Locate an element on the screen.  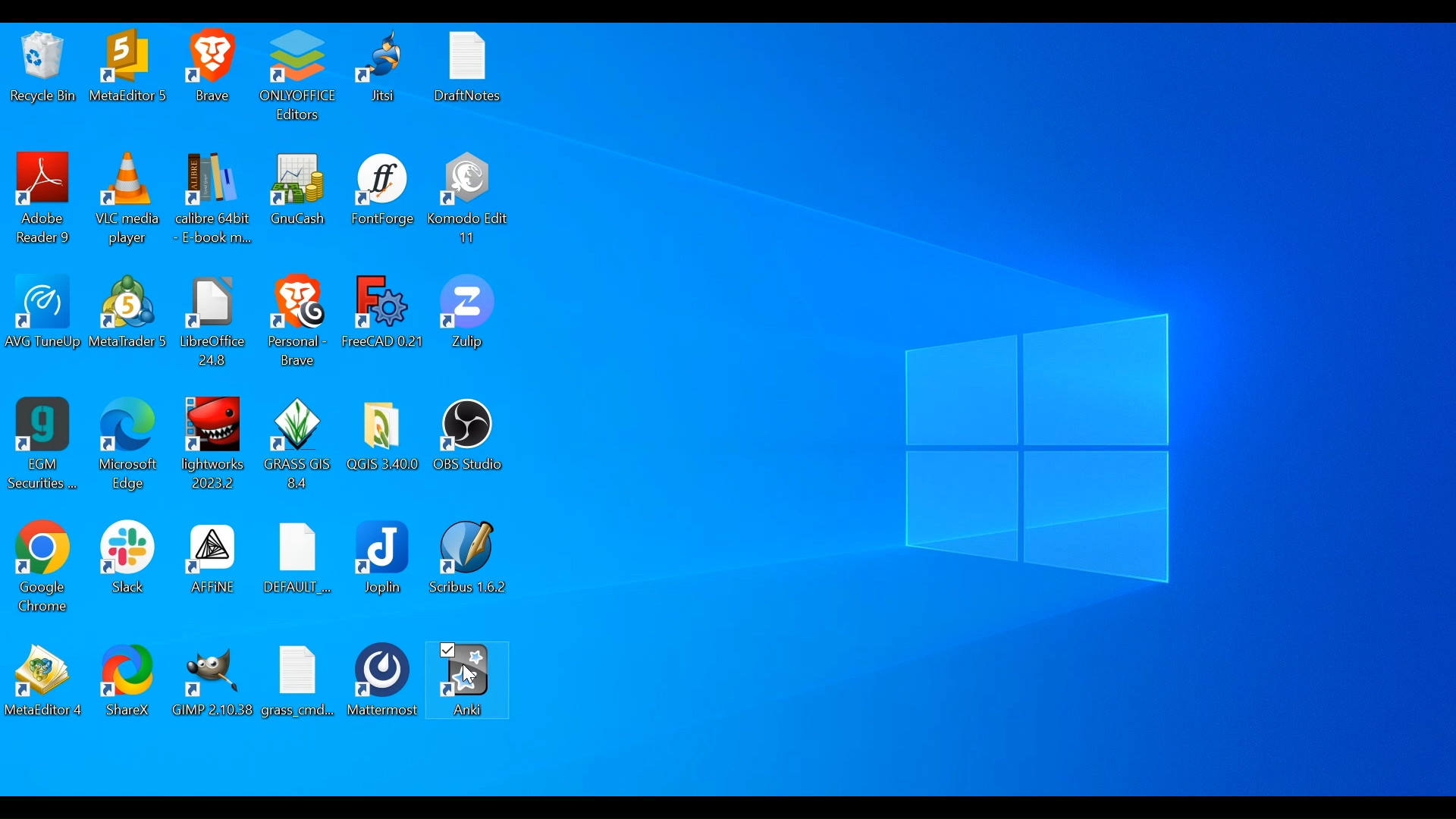
EGM Securities Desktop icon is located at coordinates (44, 441).